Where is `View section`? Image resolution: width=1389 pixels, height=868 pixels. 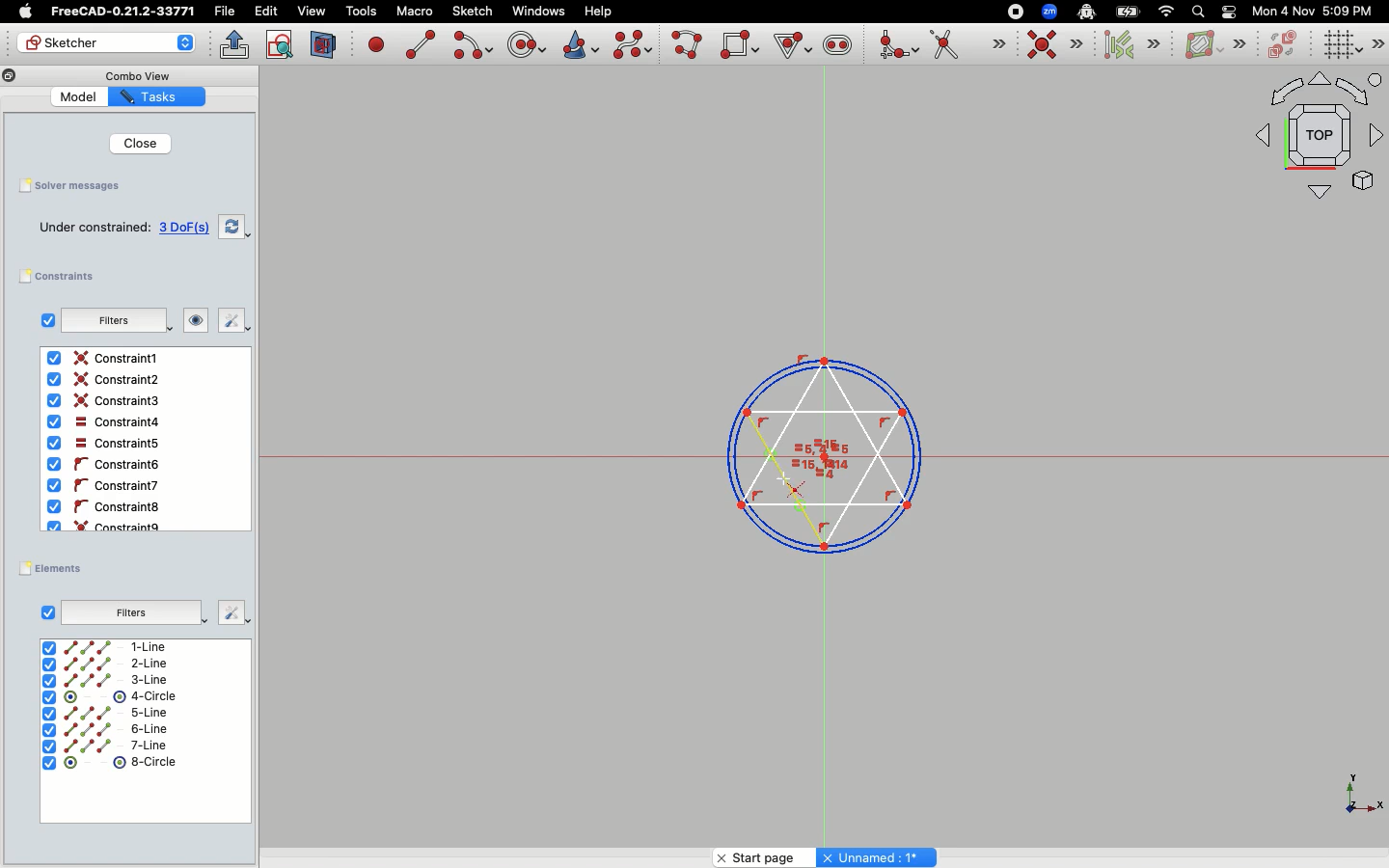
View section is located at coordinates (324, 44).